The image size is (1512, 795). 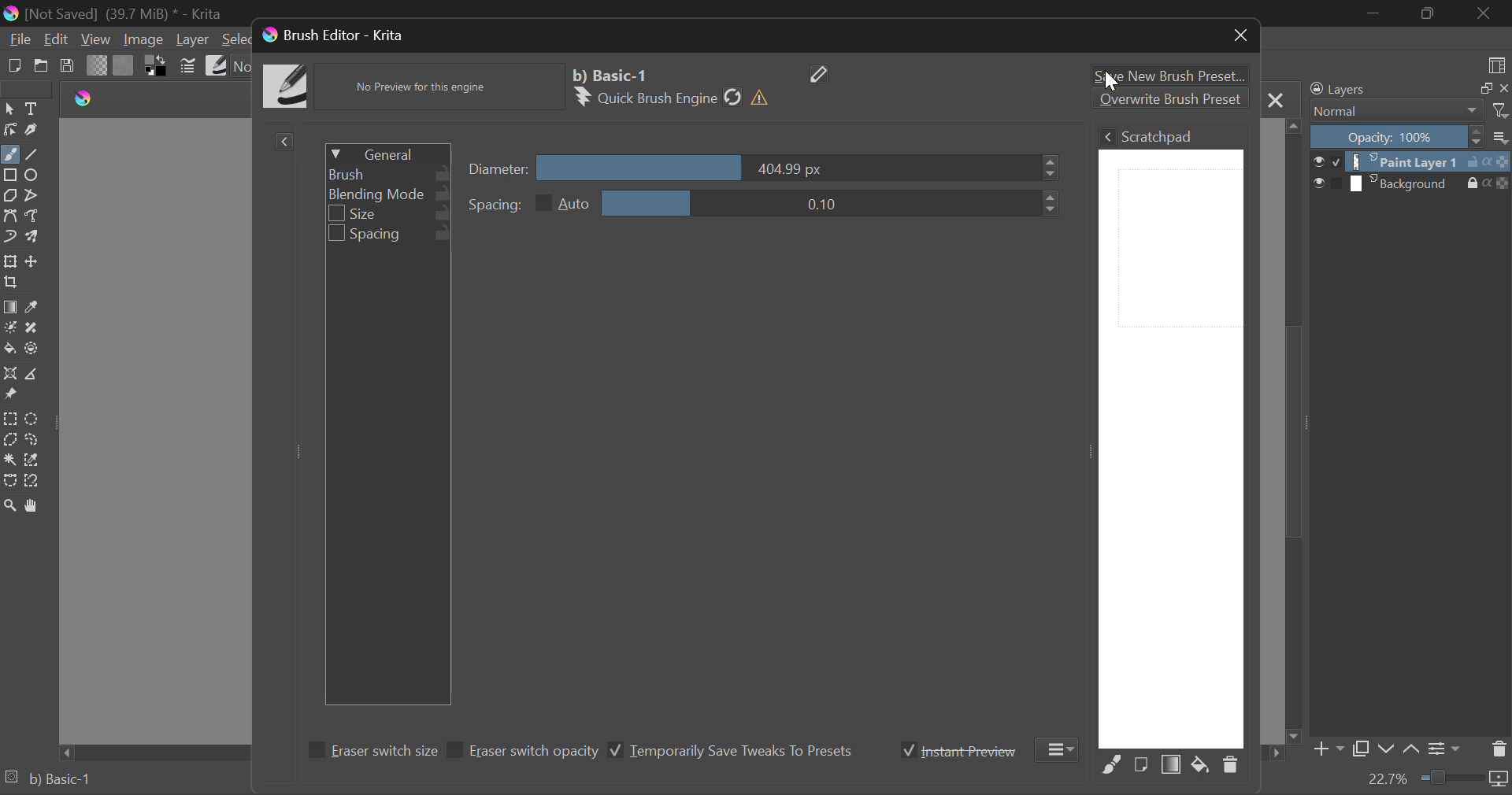 I want to click on Temporarily Save Tweaks To Presets, so click(x=731, y=751).